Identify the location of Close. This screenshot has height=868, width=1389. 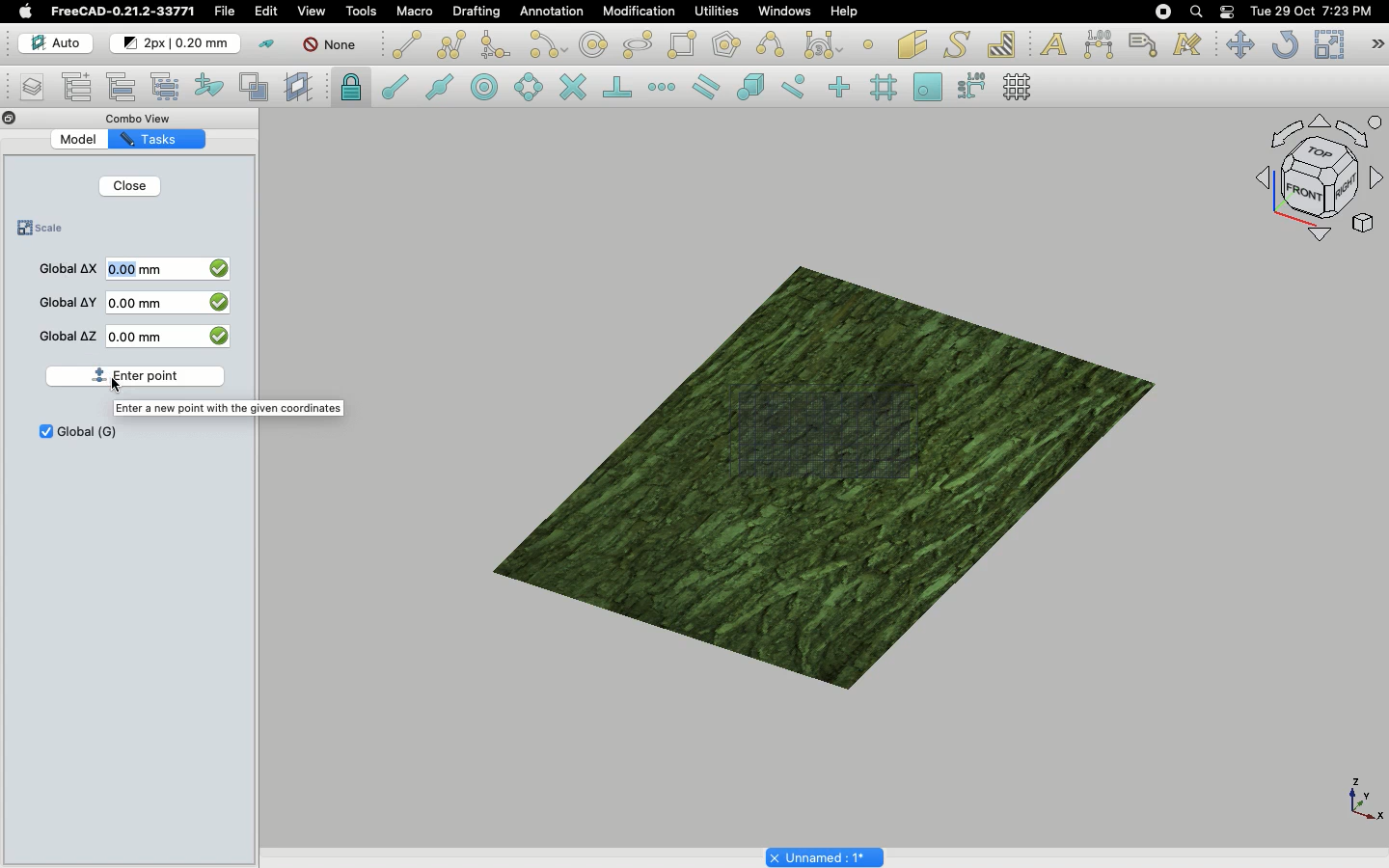
(8, 118).